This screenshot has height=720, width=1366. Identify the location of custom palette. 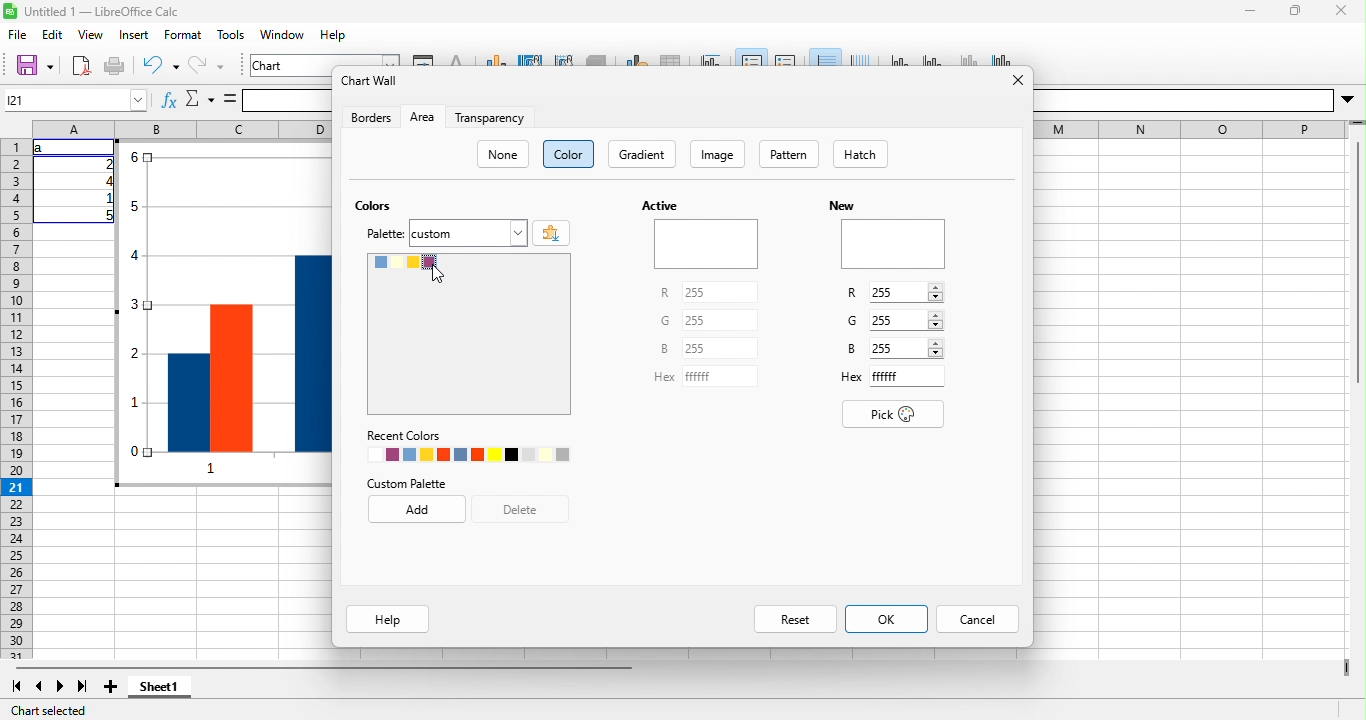
(406, 484).